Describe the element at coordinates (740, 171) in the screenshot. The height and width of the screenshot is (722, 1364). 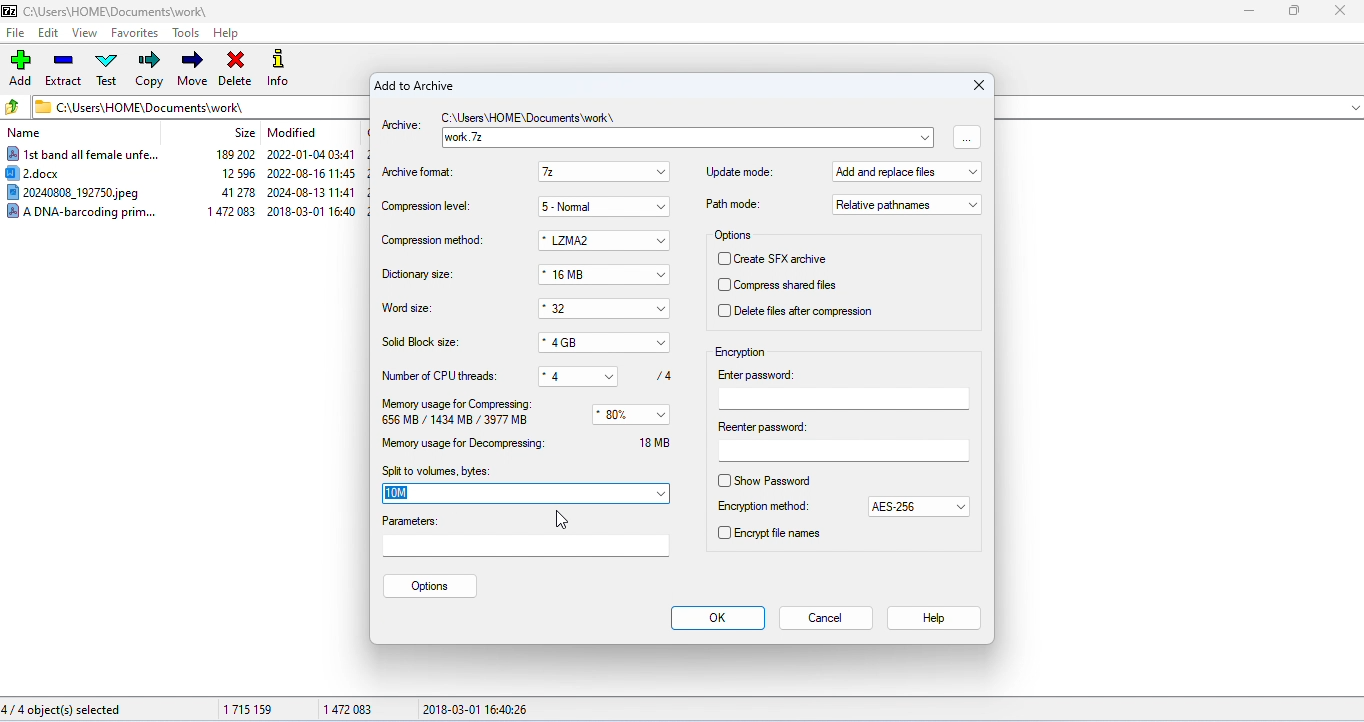
I see `update mode` at that location.